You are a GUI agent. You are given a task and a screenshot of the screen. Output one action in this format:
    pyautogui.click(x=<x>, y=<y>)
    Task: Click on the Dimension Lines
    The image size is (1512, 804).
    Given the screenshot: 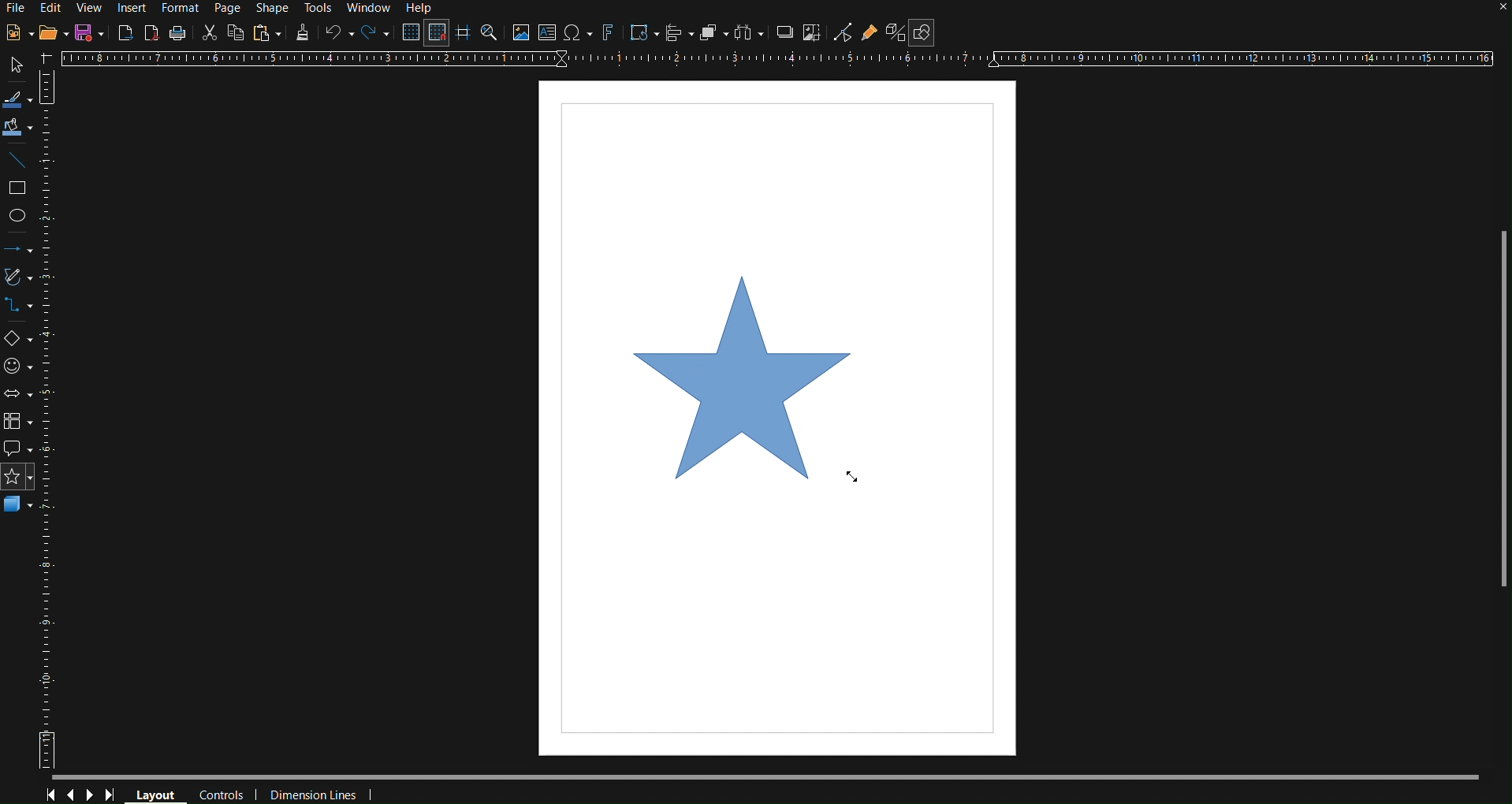 What is the action you would take?
    pyautogui.click(x=311, y=792)
    